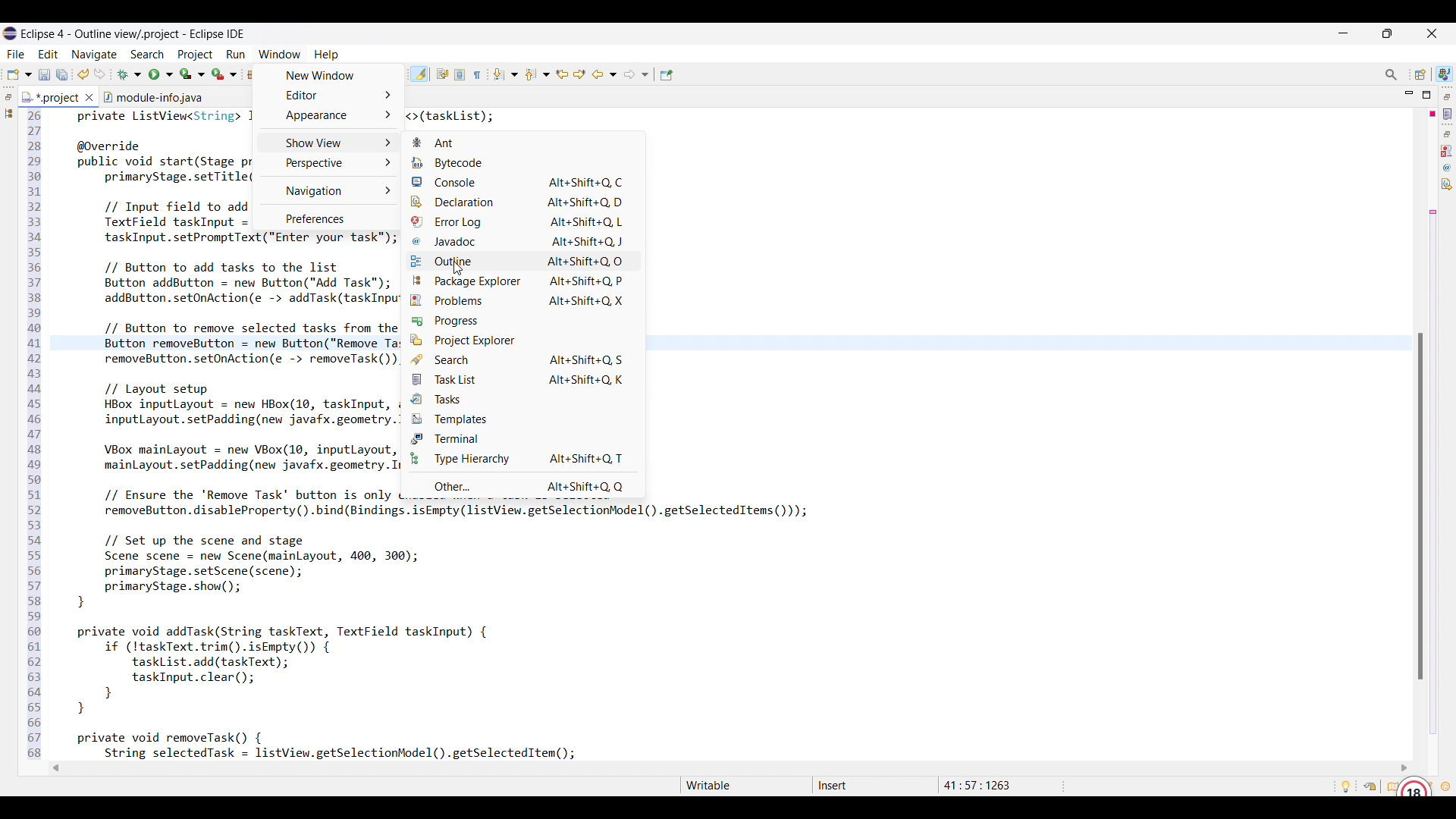 This screenshot has height=819, width=1456. Describe the element at coordinates (1389, 786) in the screenshot. I see `Overview` at that location.